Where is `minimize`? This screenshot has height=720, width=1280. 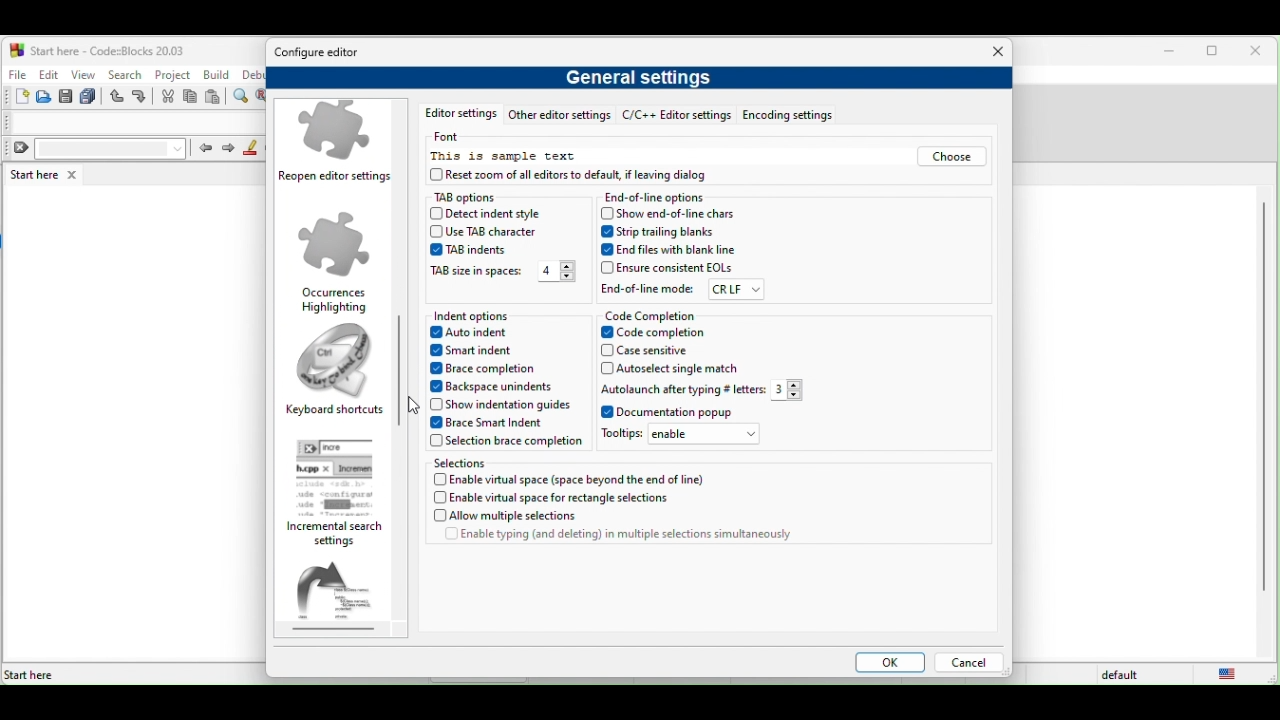
minimize is located at coordinates (1170, 52).